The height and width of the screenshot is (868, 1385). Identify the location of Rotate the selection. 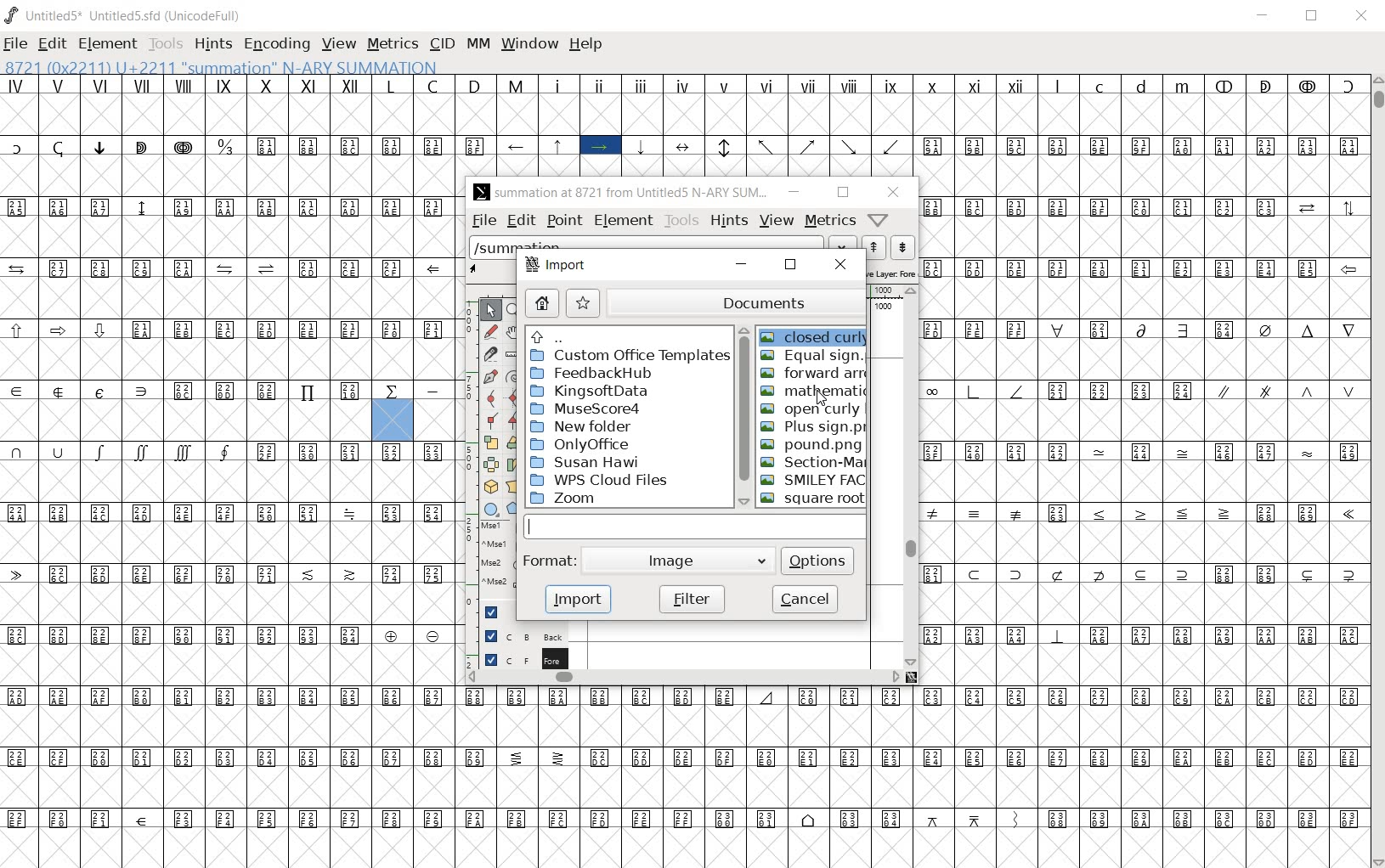
(513, 465).